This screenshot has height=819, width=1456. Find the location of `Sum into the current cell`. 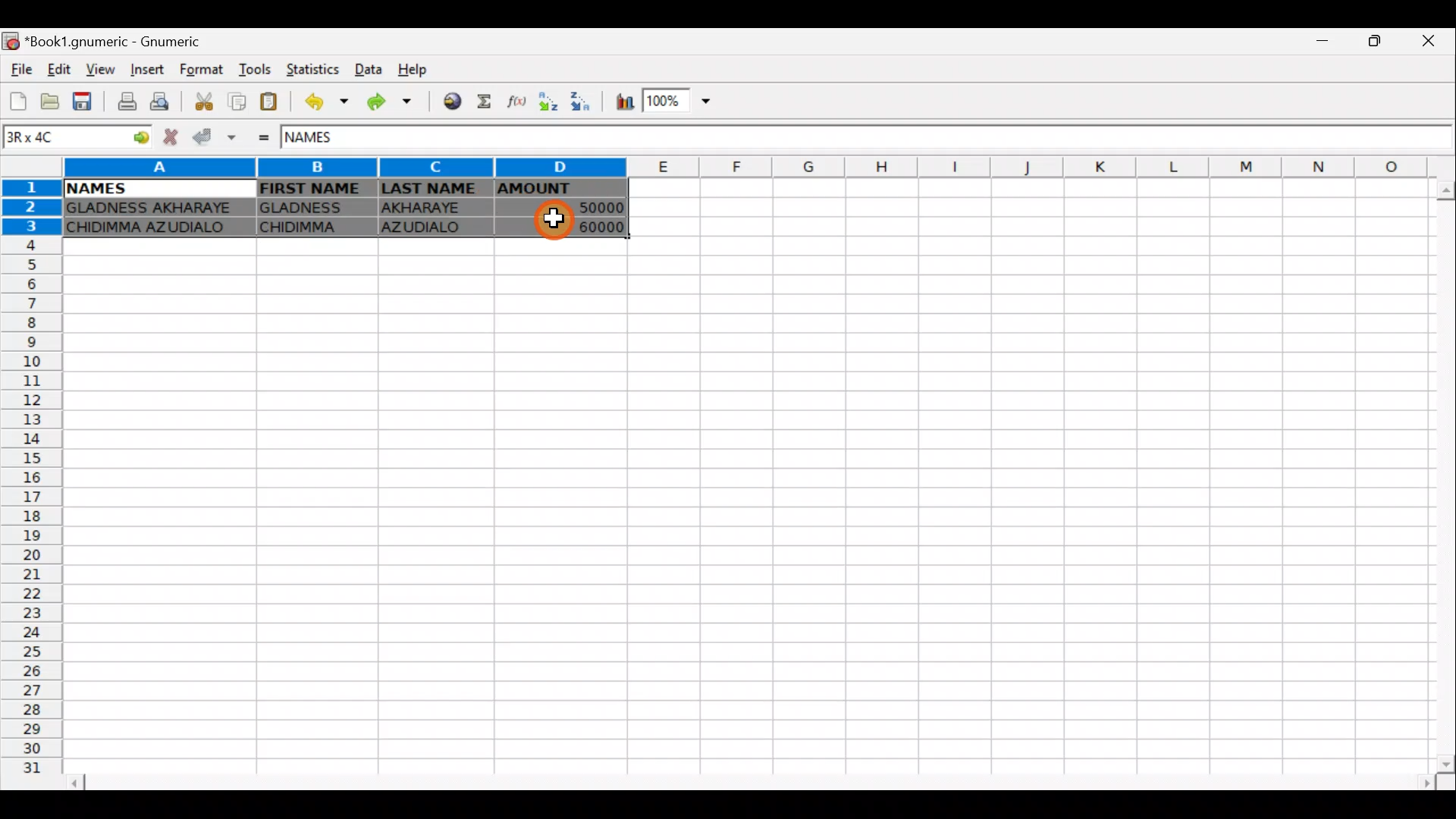

Sum into the current cell is located at coordinates (486, 102).